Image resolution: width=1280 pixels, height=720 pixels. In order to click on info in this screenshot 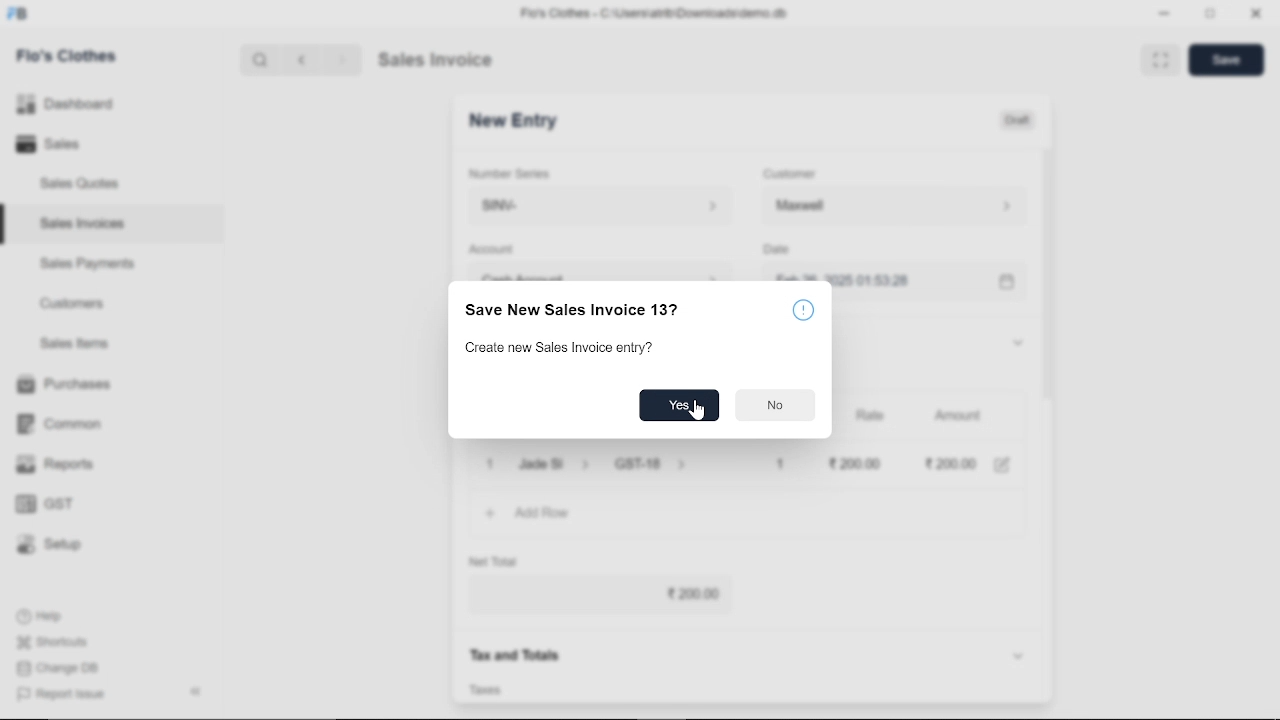, I will do `click(804, 312)`.